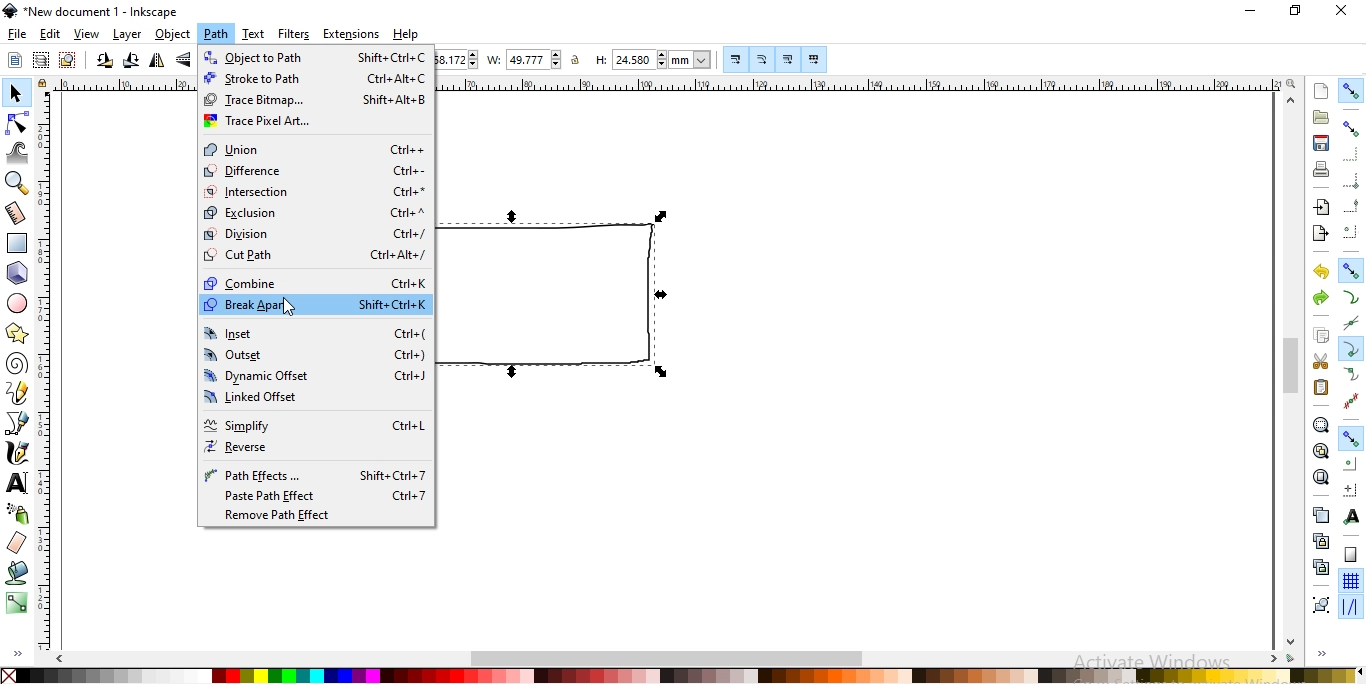 Image resolution: width=1366 pixels, height=684 pixels. Describe the element at coordinates (312, 304) in the screenshot. I see `break apart` at that location.